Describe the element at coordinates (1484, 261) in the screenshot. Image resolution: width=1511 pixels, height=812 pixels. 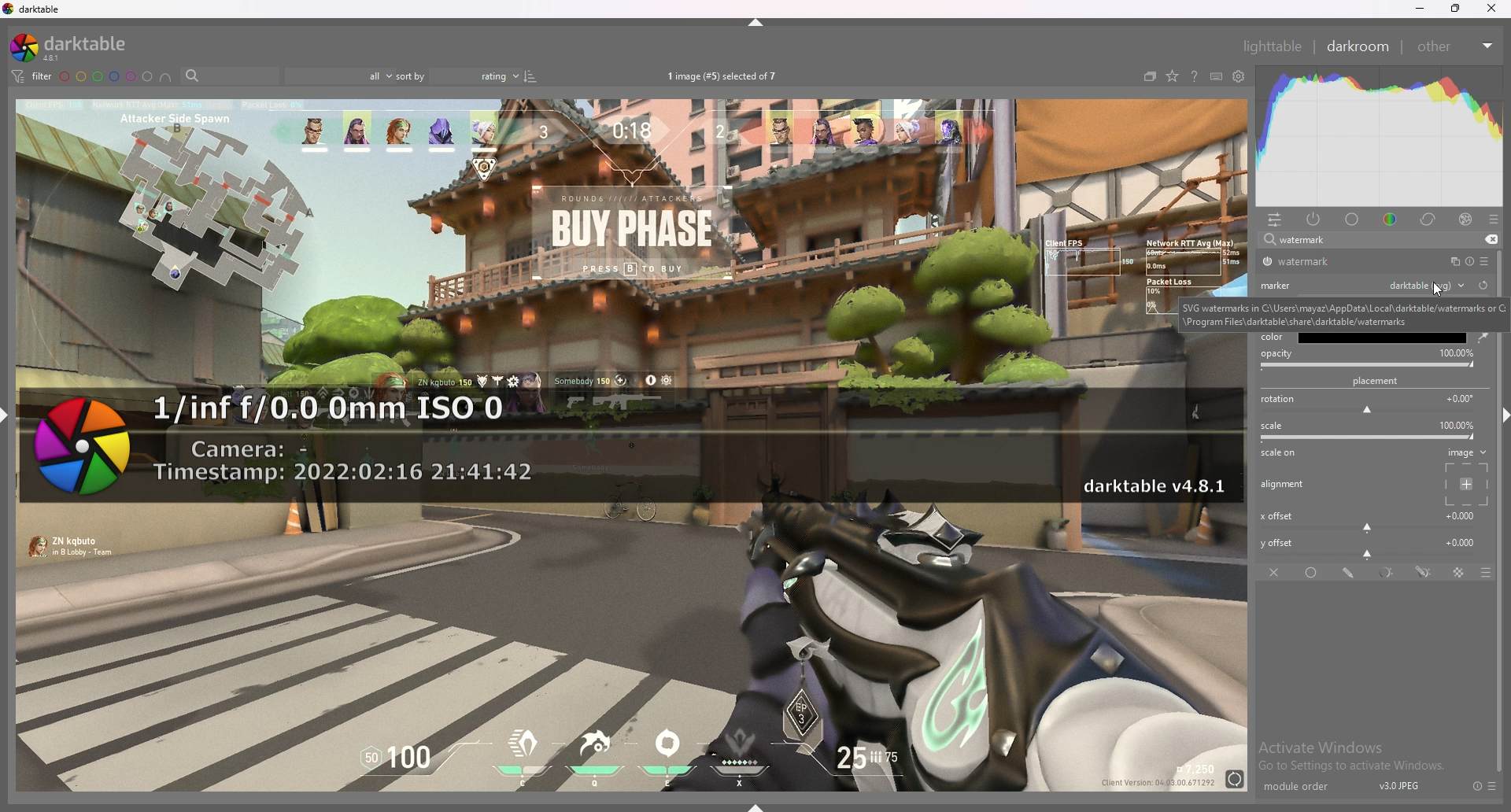
I see `presets` at that location.